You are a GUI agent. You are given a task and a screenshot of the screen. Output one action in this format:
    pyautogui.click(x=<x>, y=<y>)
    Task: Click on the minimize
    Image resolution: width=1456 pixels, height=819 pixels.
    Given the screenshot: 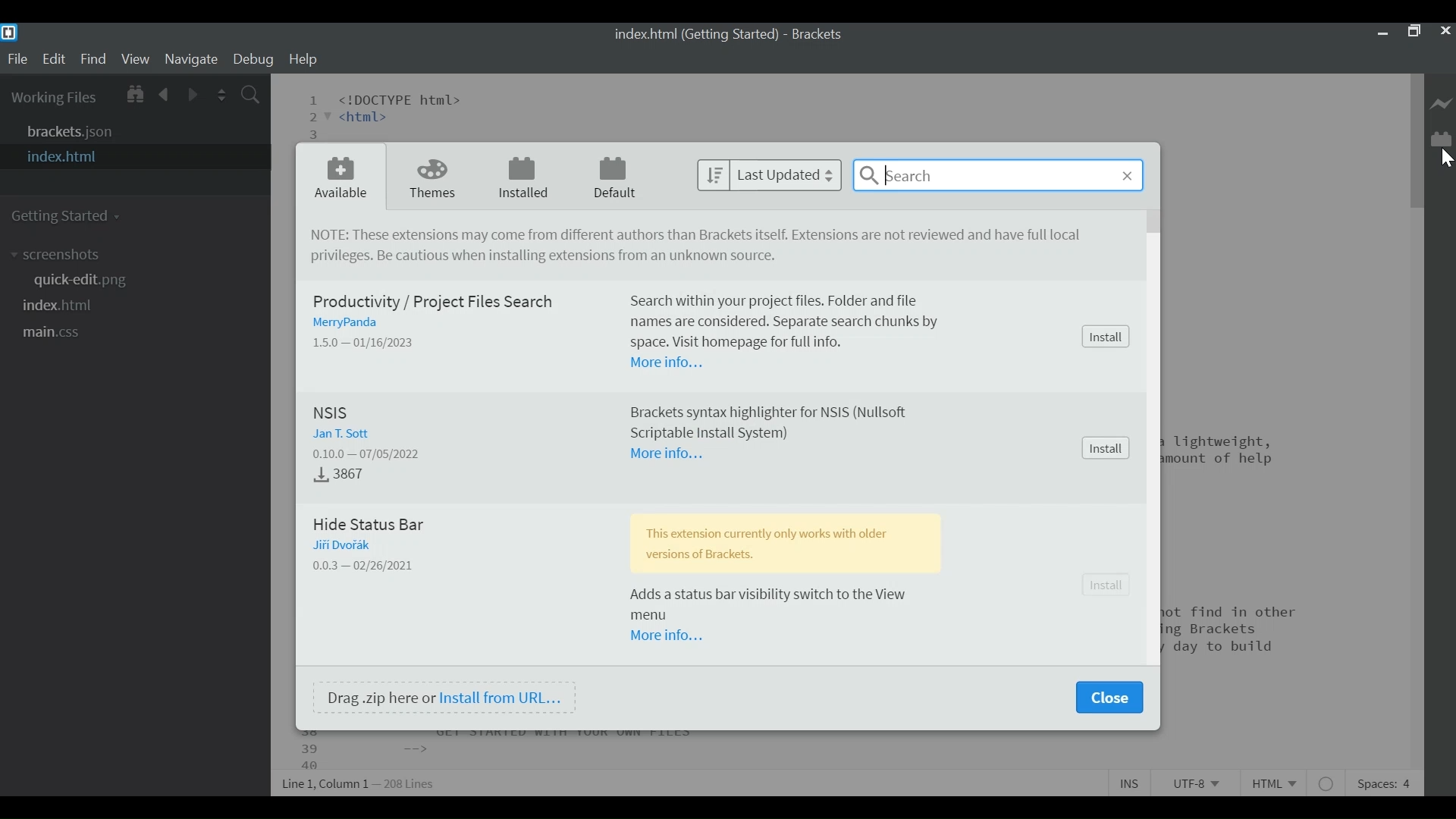 What is the action you would take?
    pyautogui.click(x=1382, y=33)
    